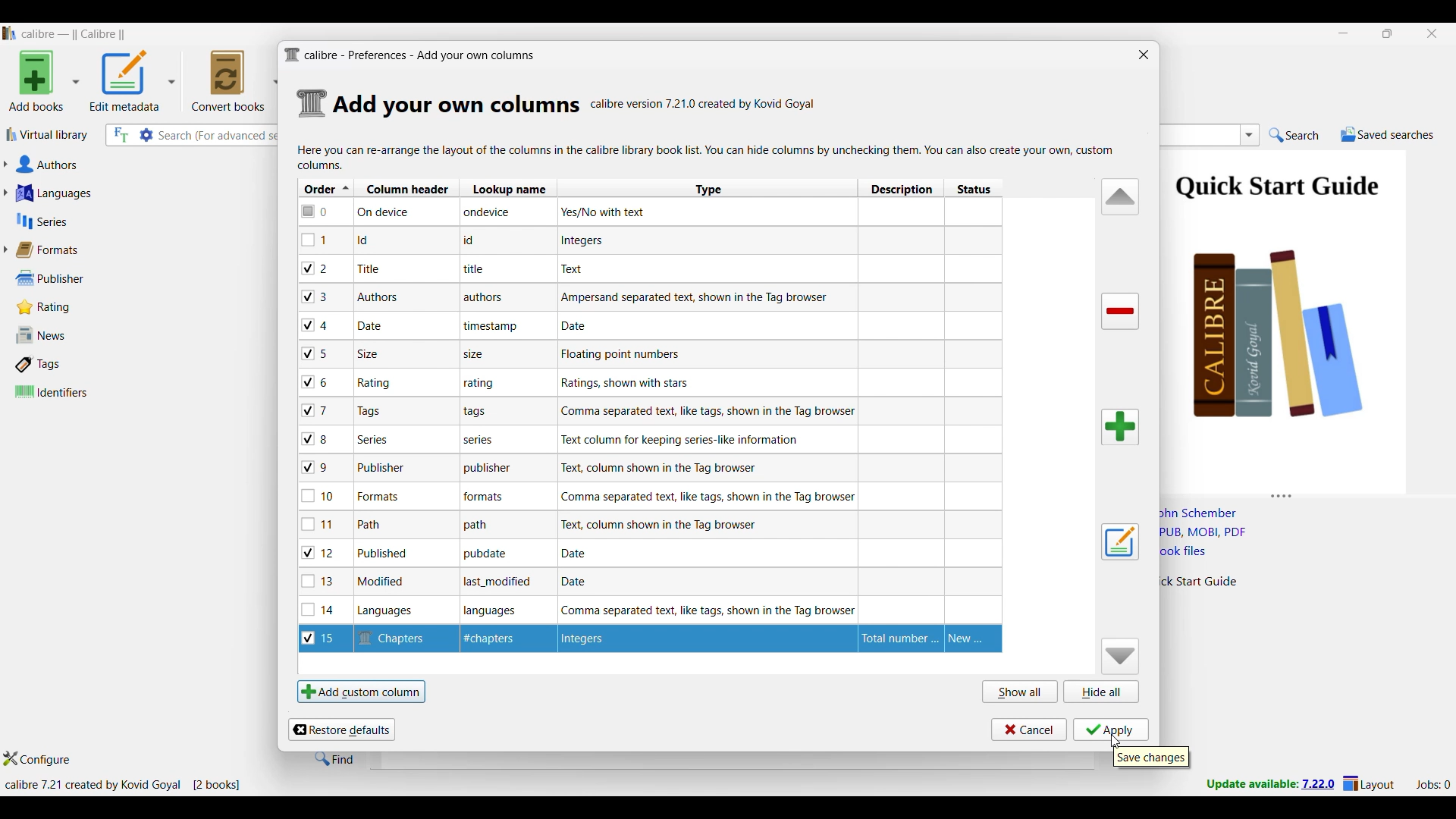 This screenshot has height=819, width=1456. I want to click on Software name, so click(74, 34).